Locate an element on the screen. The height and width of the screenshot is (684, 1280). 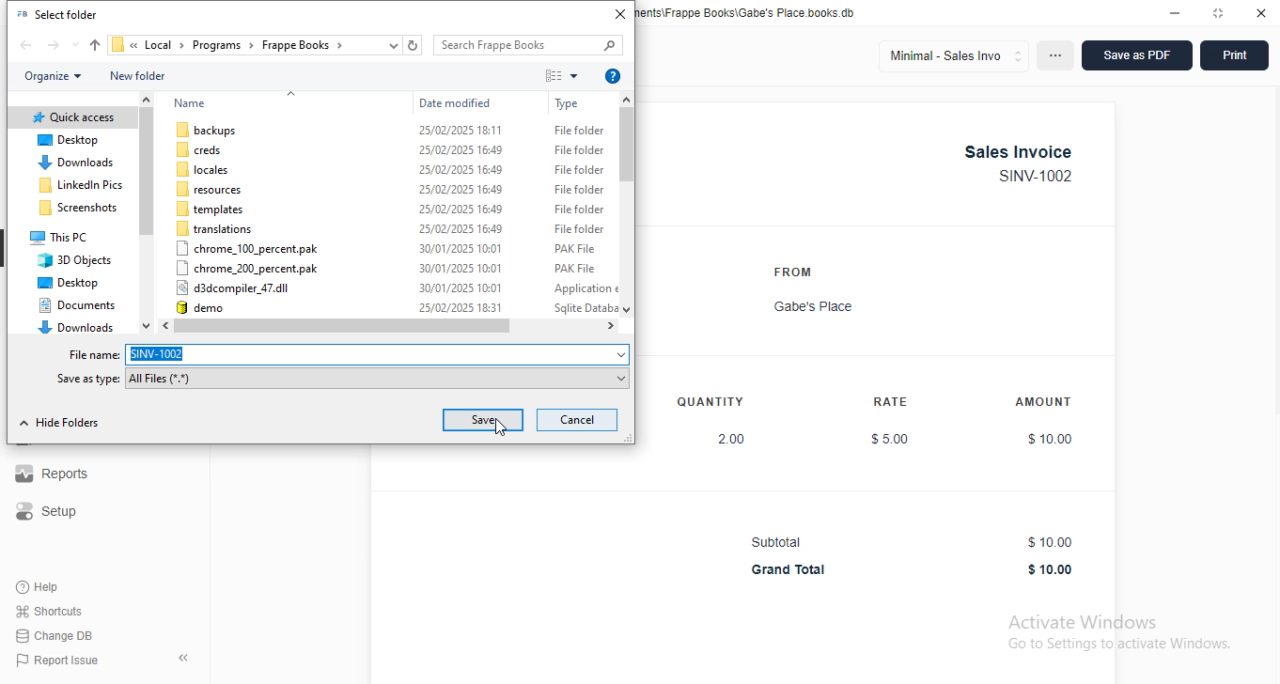
programs is located at coordinates (217, 45).